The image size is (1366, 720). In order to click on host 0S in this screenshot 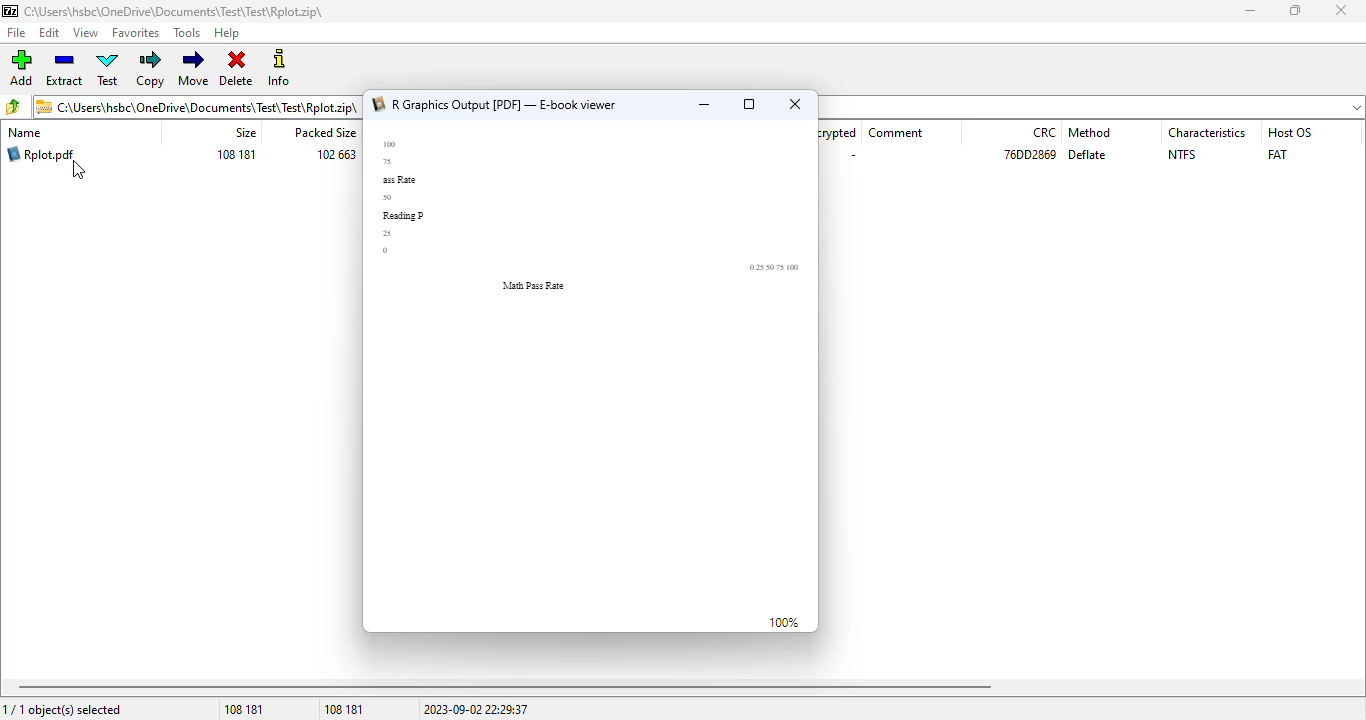, I will do `click(1290, 132)`.